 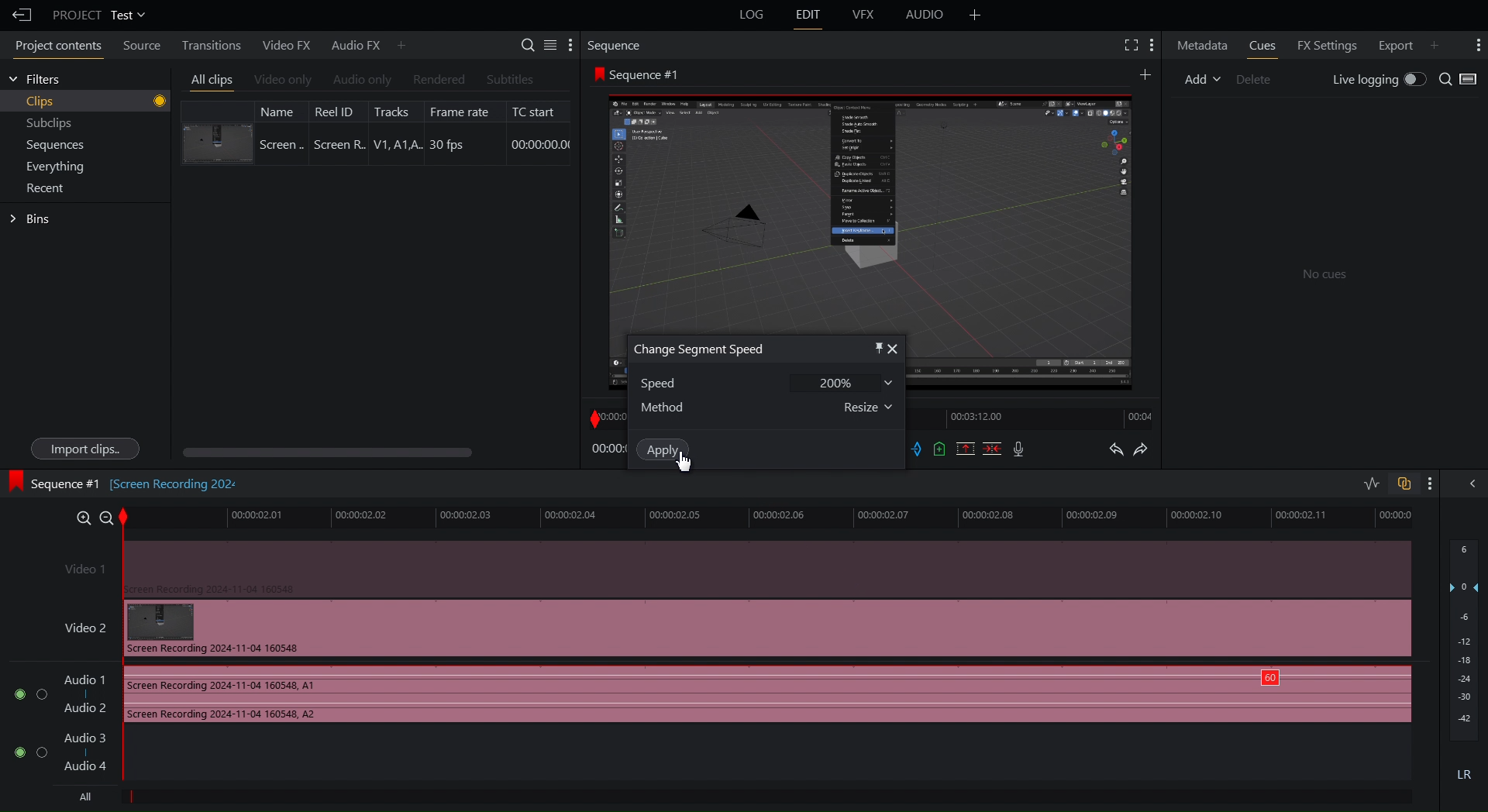 I want to click on Clip, so click(x=376, y=132).